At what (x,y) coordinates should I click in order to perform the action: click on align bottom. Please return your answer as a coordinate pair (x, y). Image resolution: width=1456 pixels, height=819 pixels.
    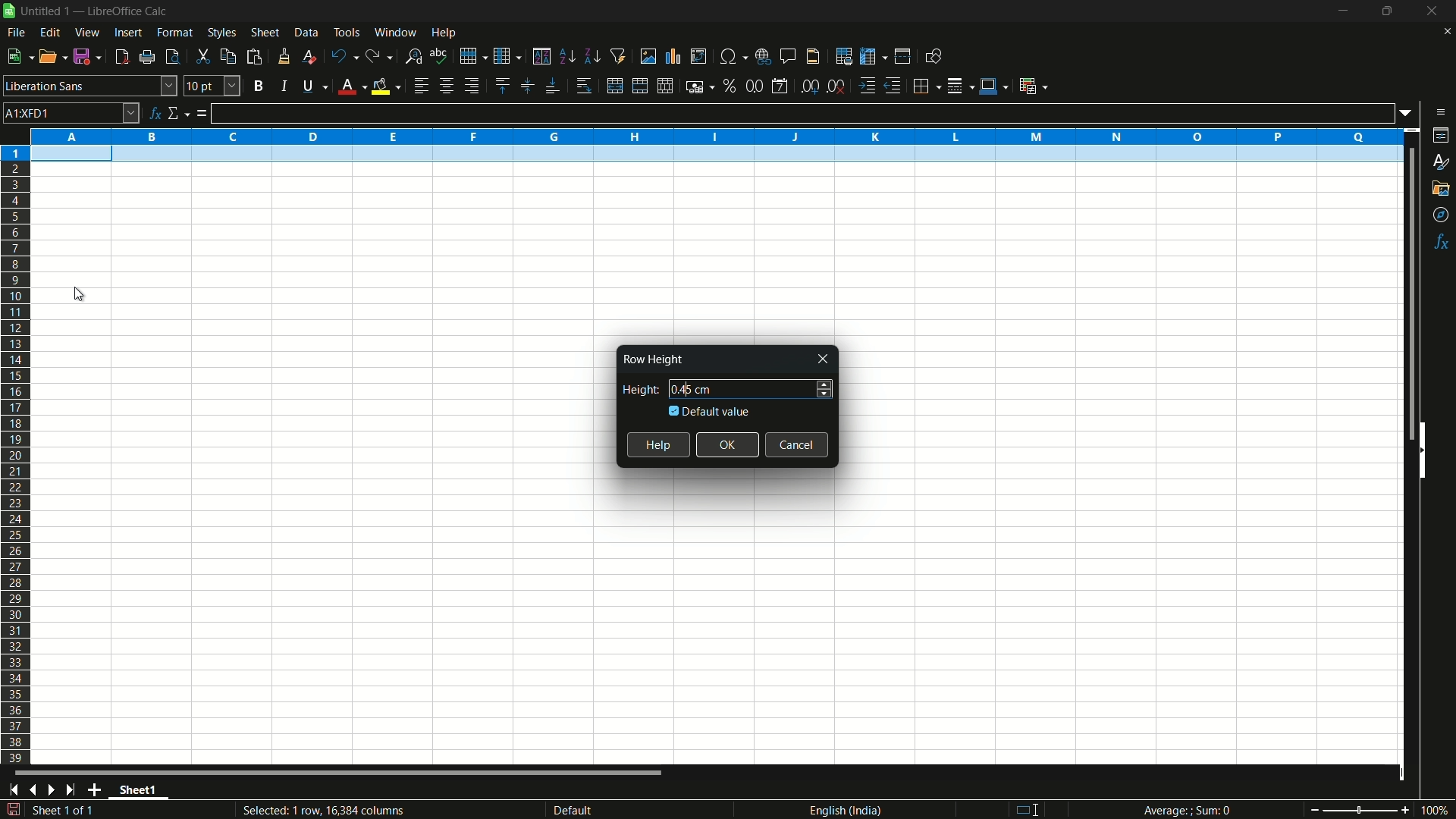
    Looking at the image, I should click on (553, 87).